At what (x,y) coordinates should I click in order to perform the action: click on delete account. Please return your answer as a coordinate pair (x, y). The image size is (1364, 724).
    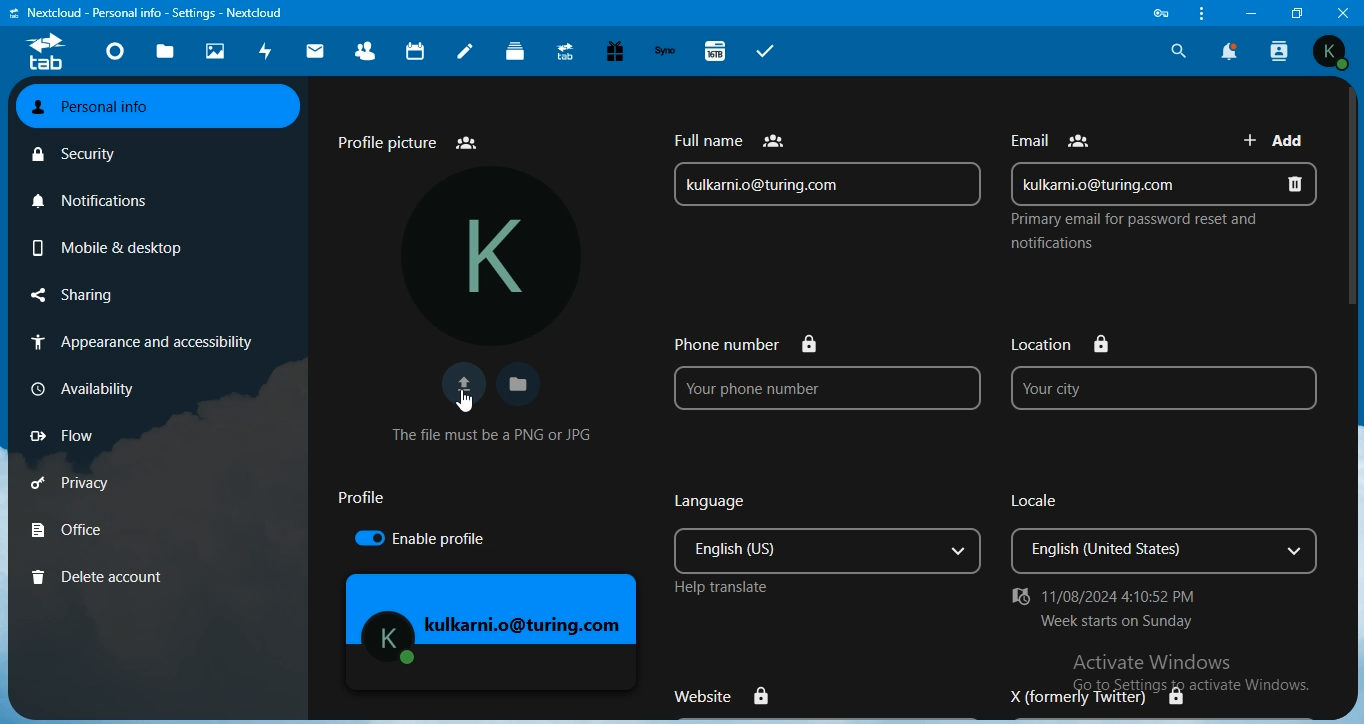
    Looking at the image, I should click on (103, 575).